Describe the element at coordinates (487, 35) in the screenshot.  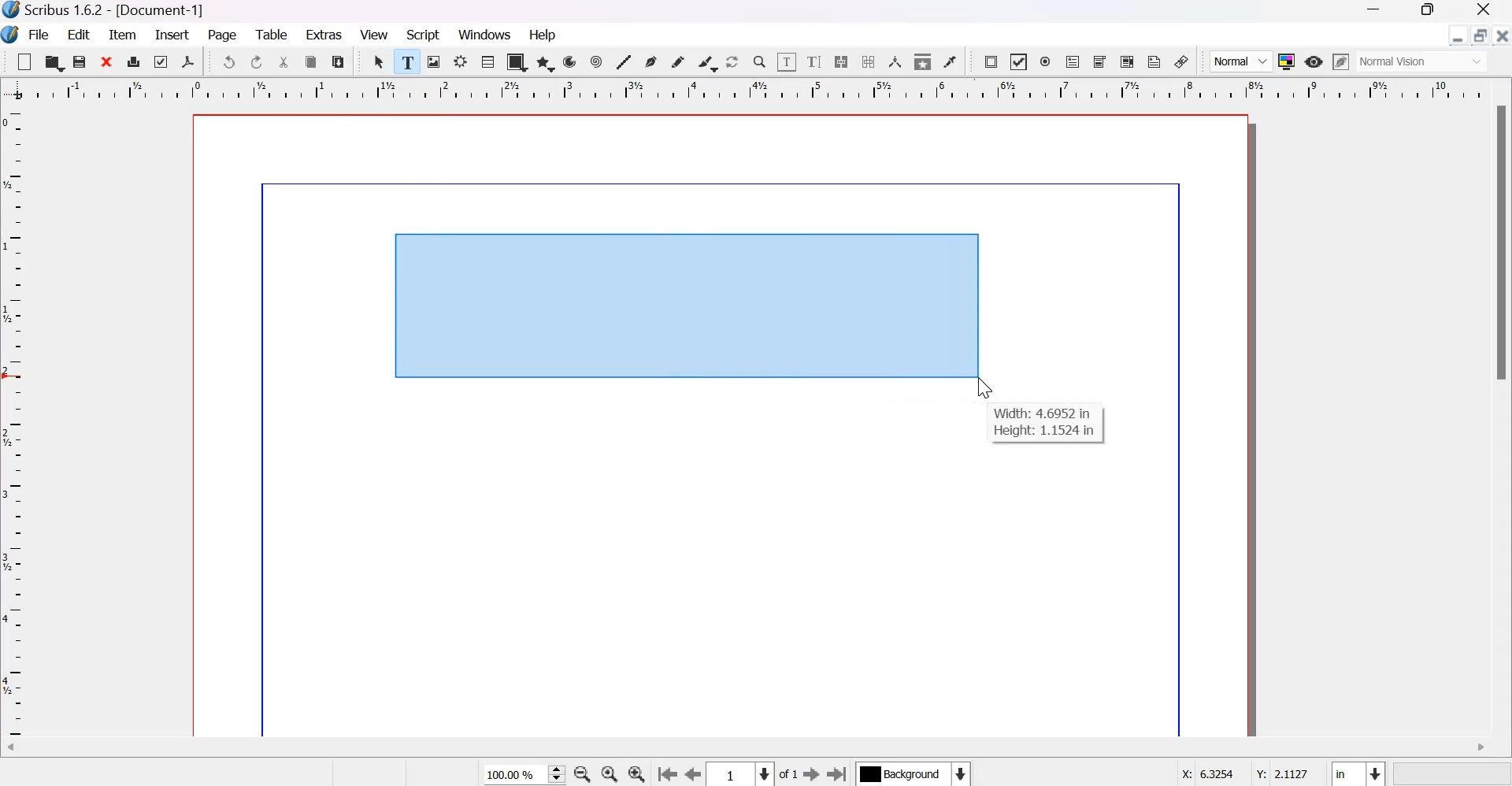
I see `windows` at that location.